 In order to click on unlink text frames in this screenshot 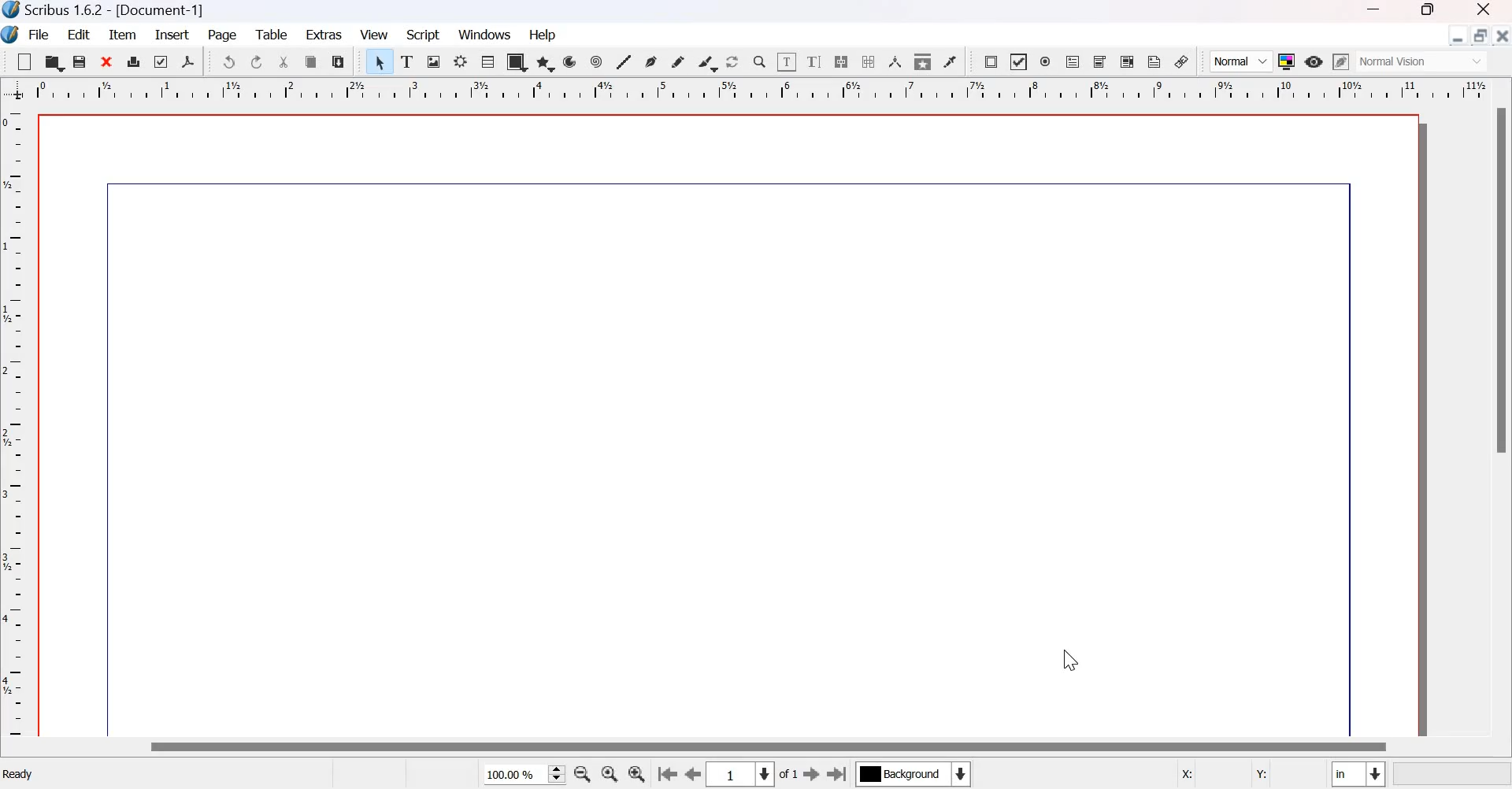, I will do `click(869, 61)`.